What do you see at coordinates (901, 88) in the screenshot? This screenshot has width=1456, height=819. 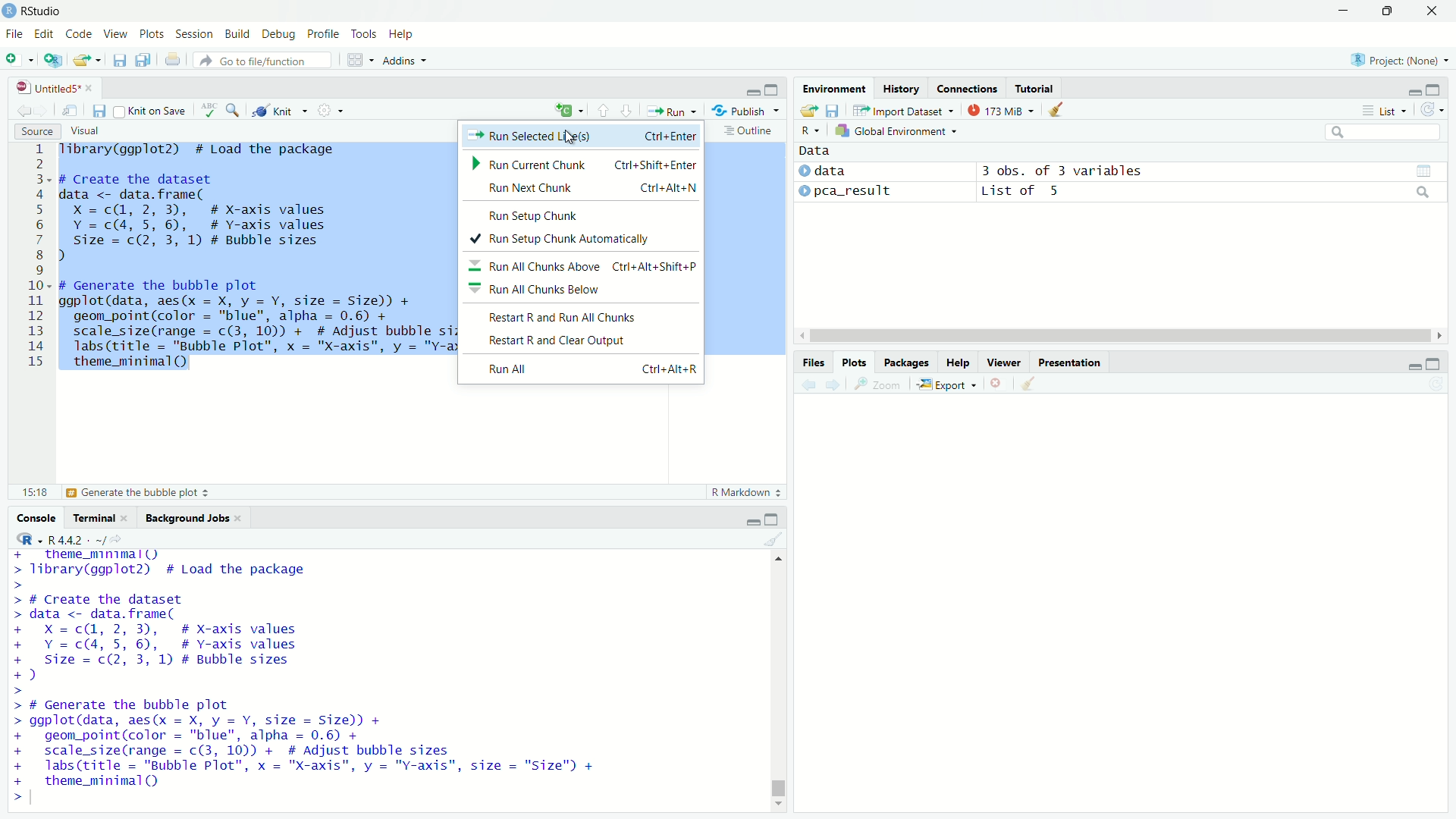 I see `history` at bounding box center [901, 88].